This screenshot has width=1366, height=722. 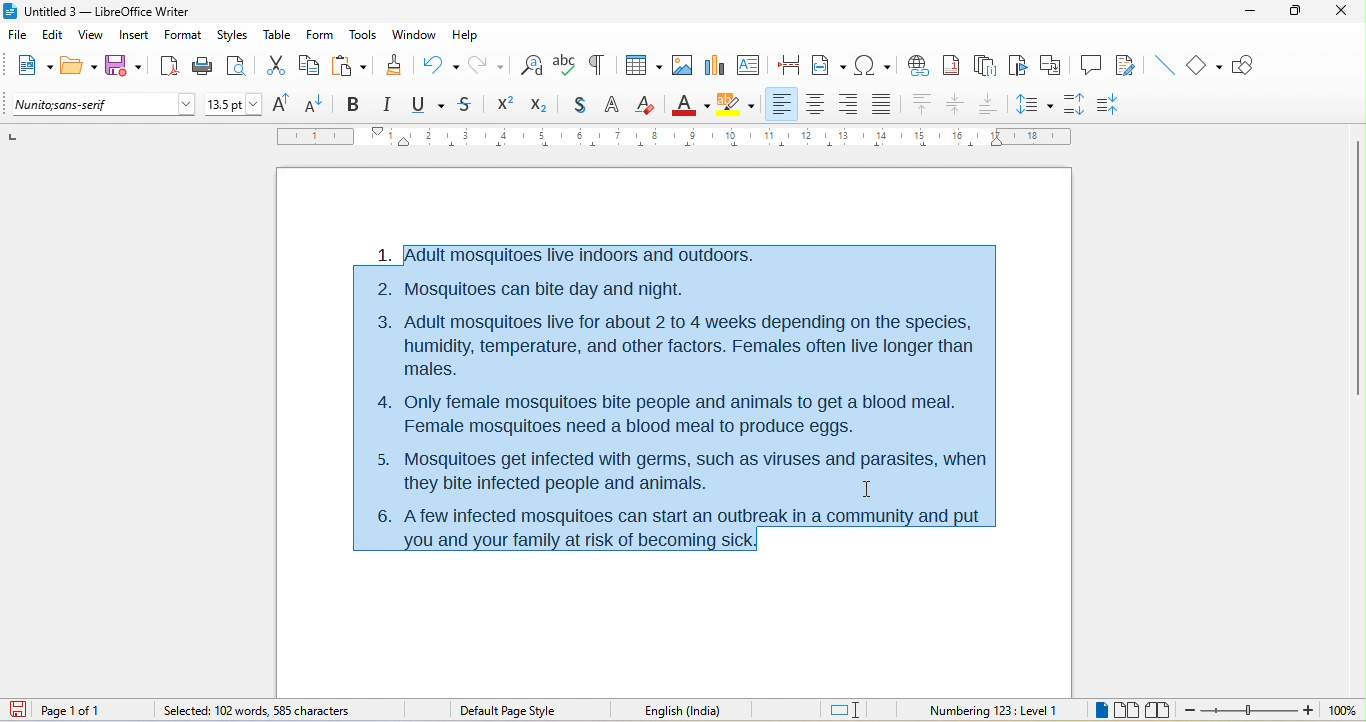 I want to click on footnote, so click(x=955, y=65).